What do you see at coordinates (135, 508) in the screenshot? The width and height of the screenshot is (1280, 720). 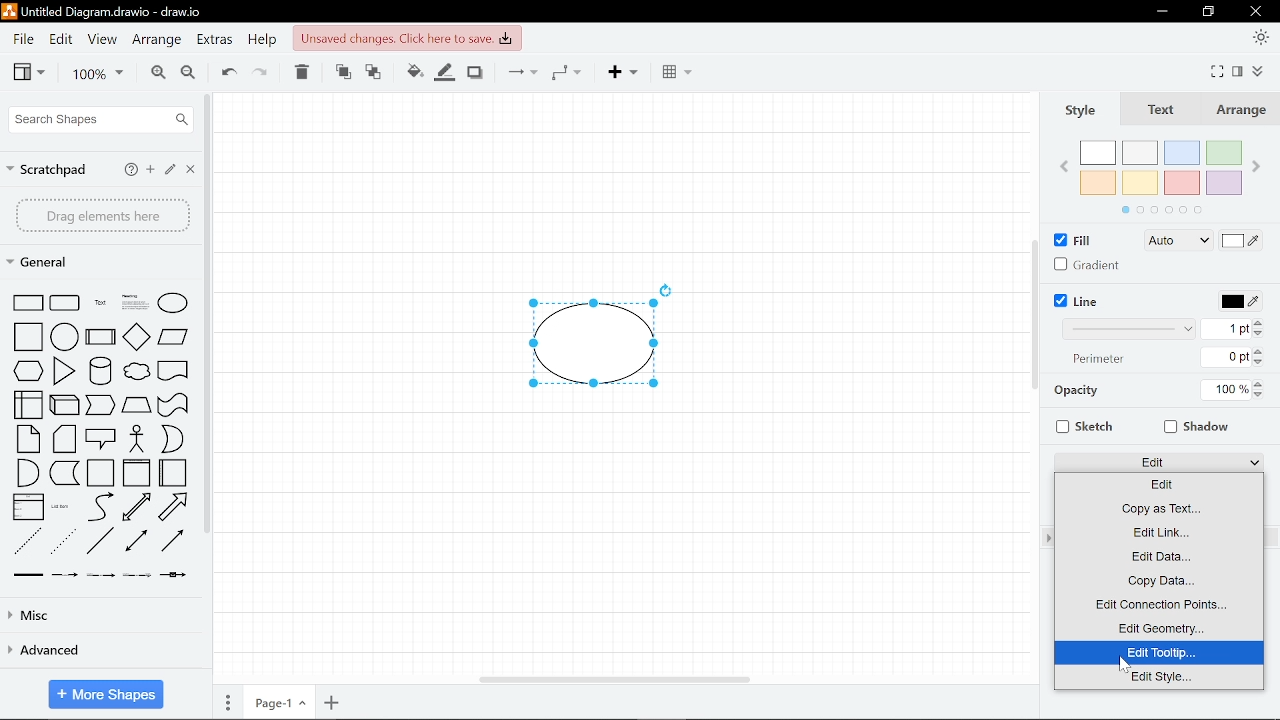 I see `bidirectional arrow` at bounding box center [135, 508].